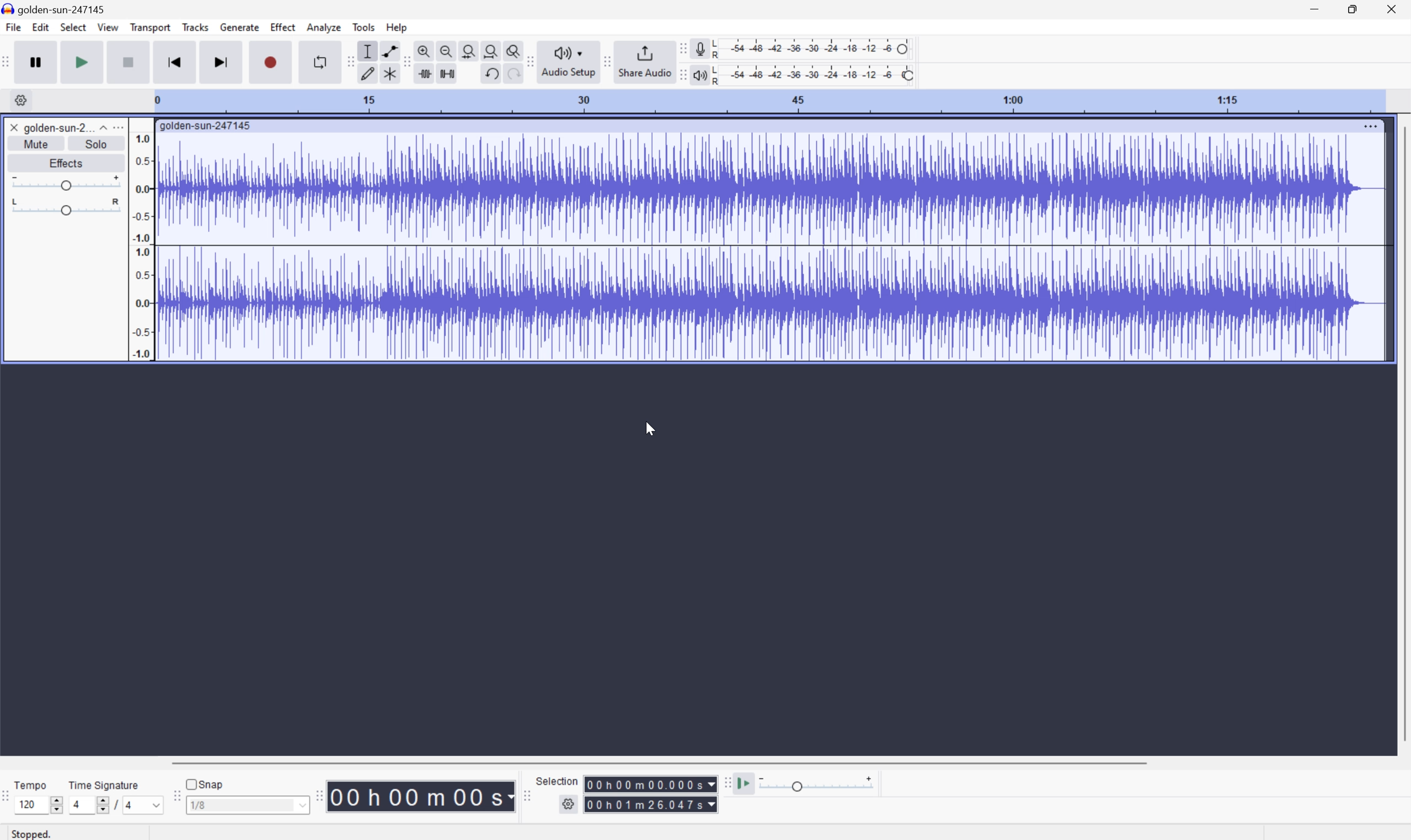 This screenshot has height=840, width=1411. What do you see at coordinates (368, 75) in the screenshot?
I see `Draw tool` at bounding box center [368, 75].